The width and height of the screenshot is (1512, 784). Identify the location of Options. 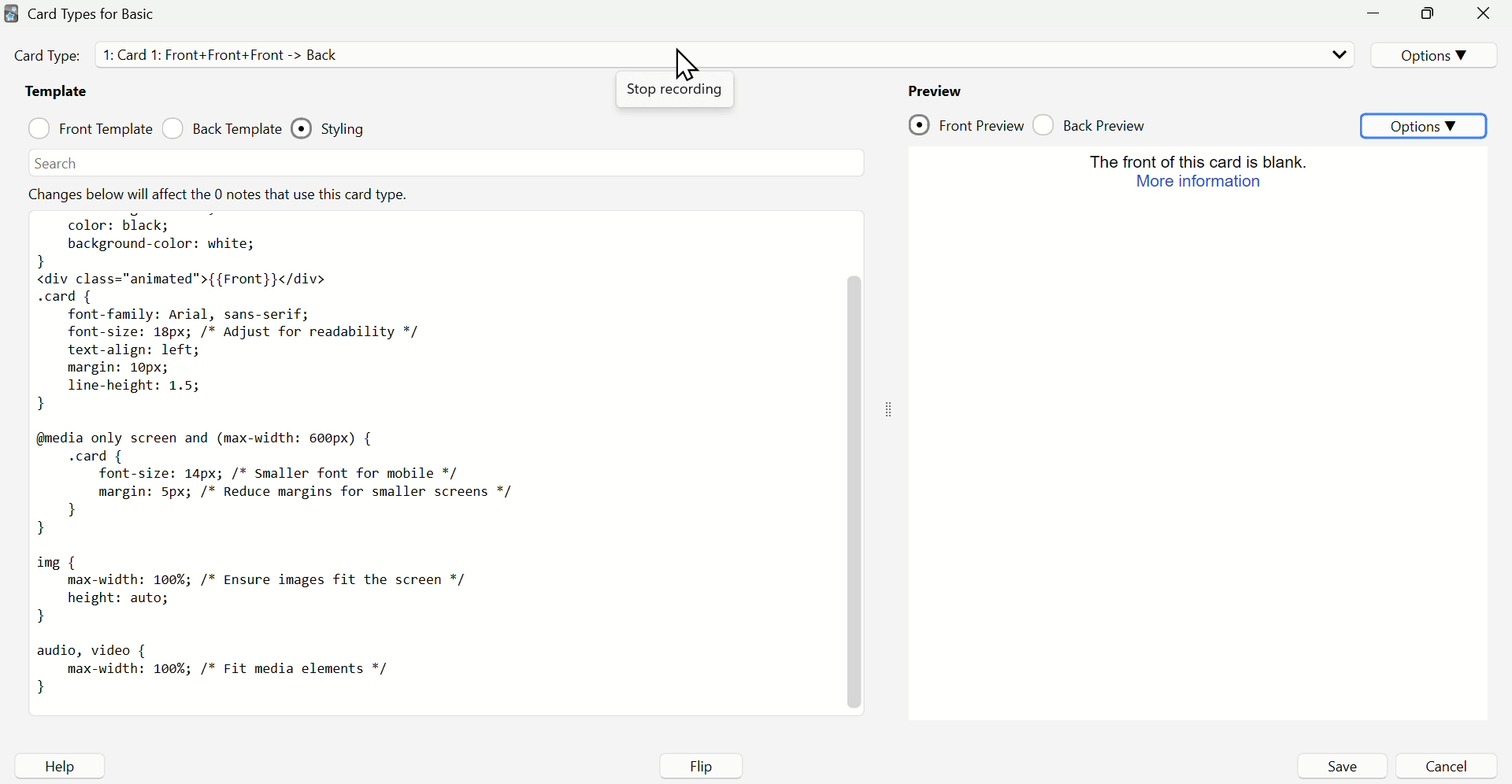
(1430, 53).